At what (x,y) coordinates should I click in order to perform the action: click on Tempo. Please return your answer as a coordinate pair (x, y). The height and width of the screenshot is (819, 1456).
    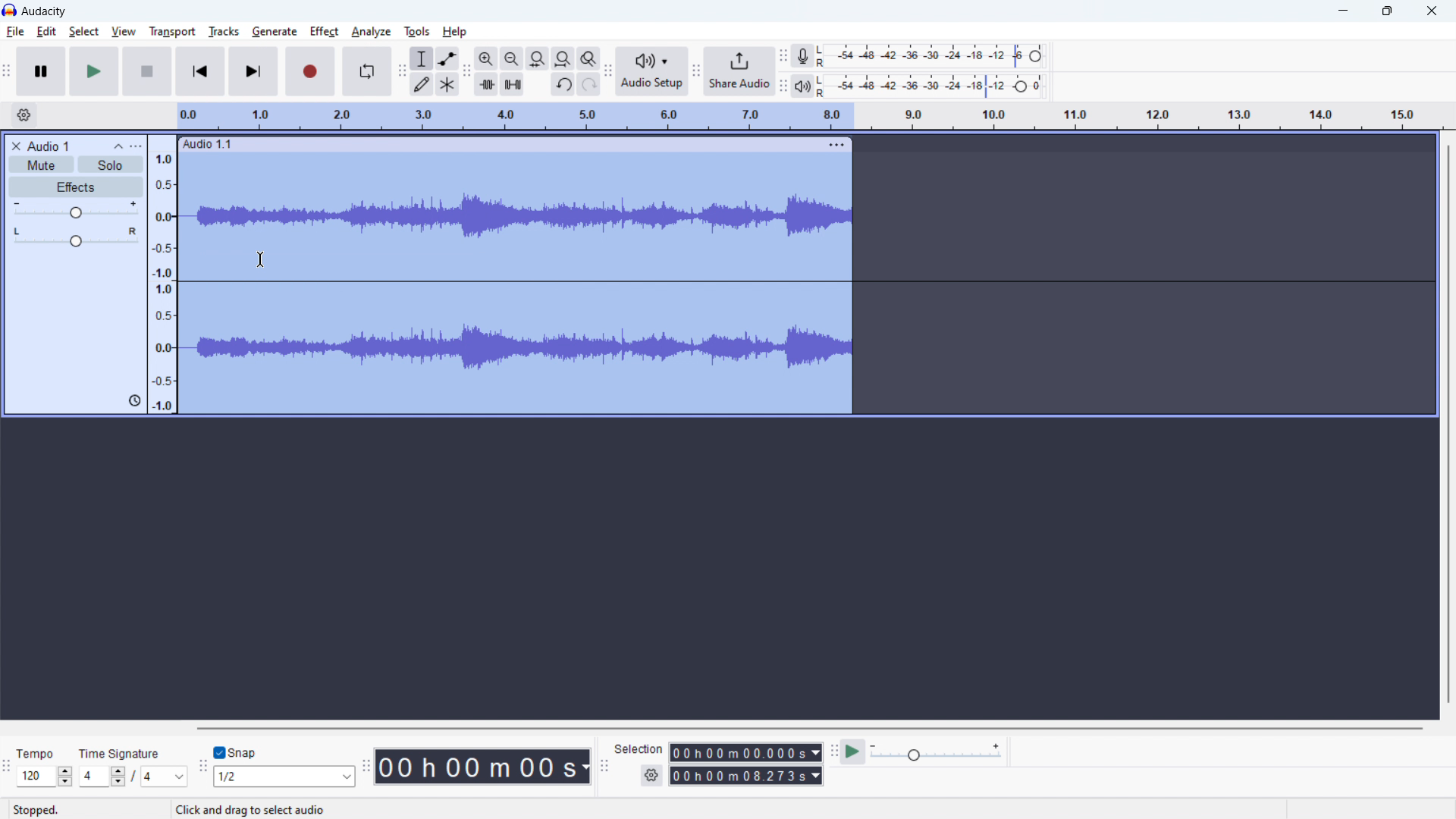
    Looking at the image, I should click on (36, 752).